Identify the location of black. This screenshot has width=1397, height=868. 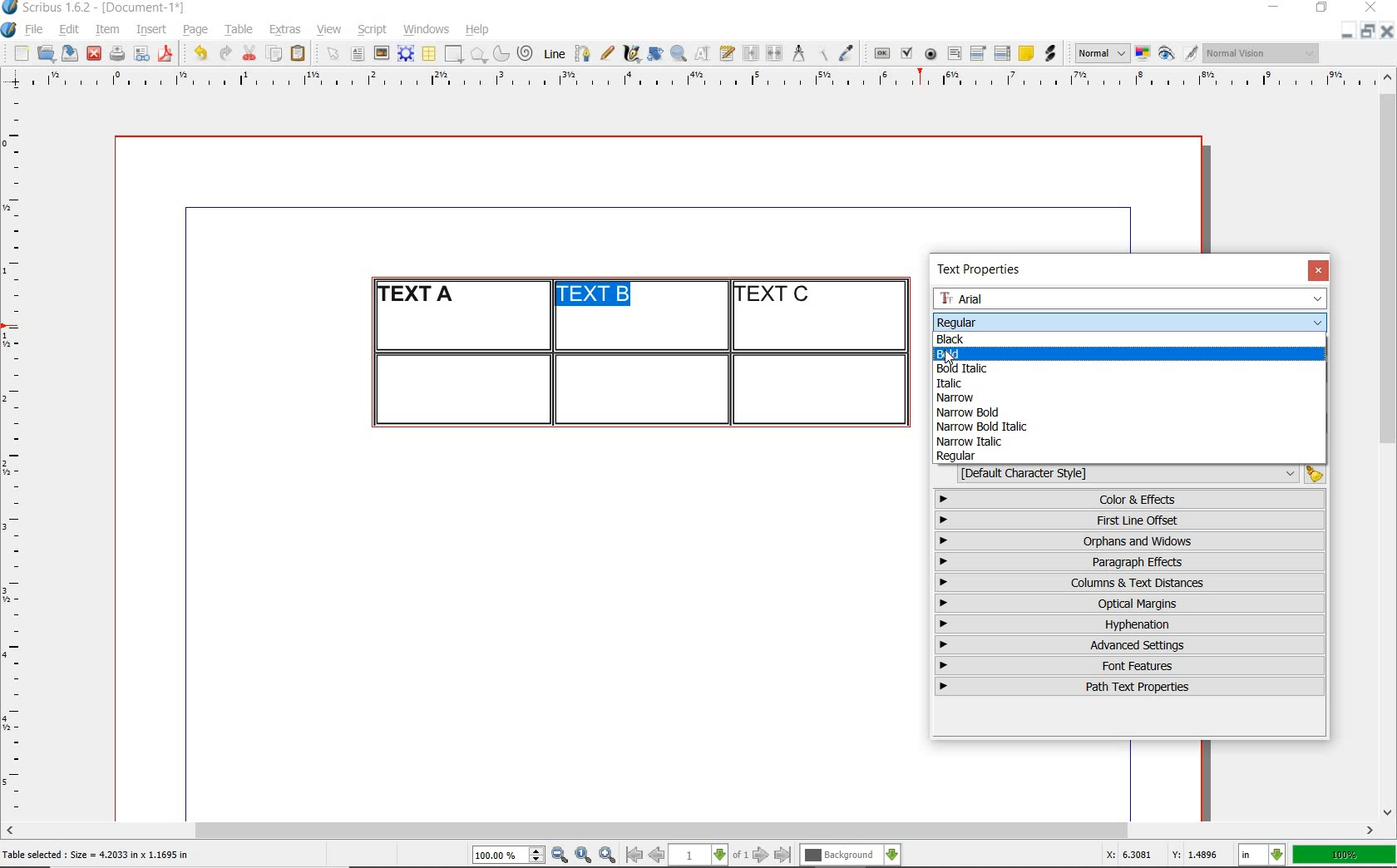
(952, 338).